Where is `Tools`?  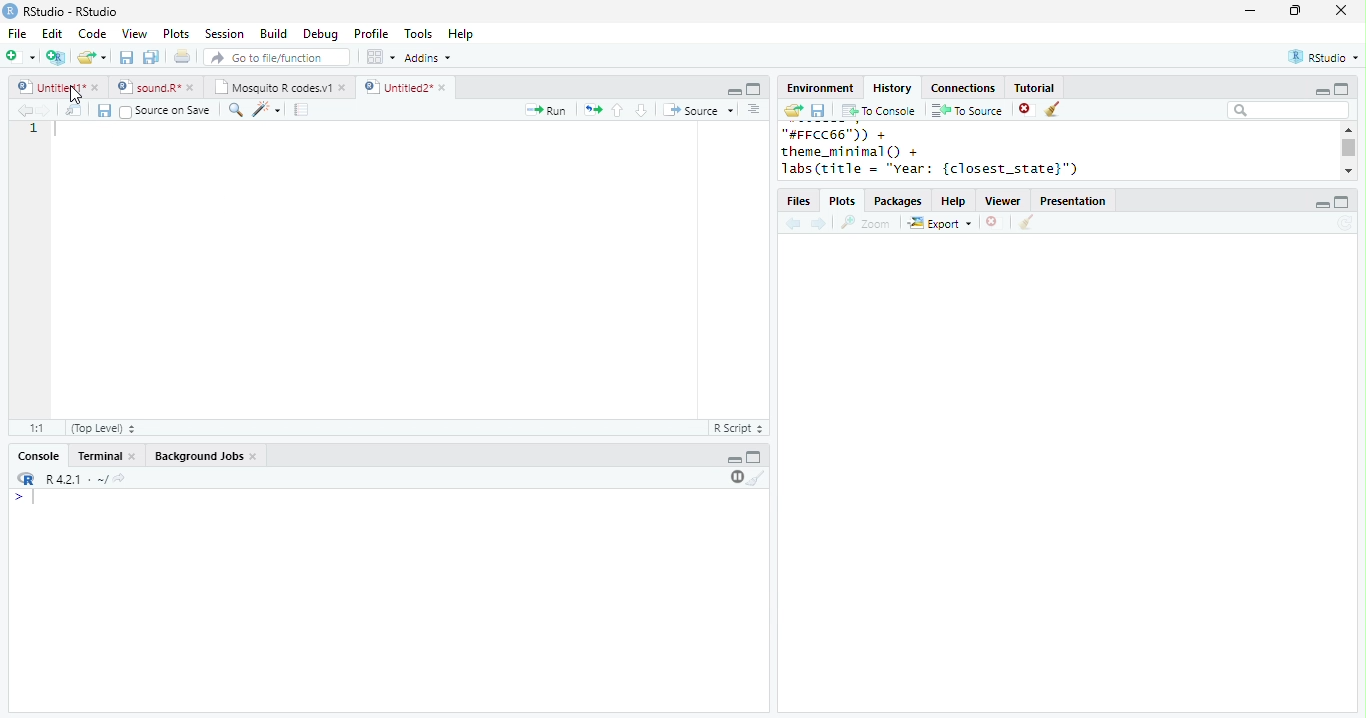
Tools is located at coordinates (419, 34).